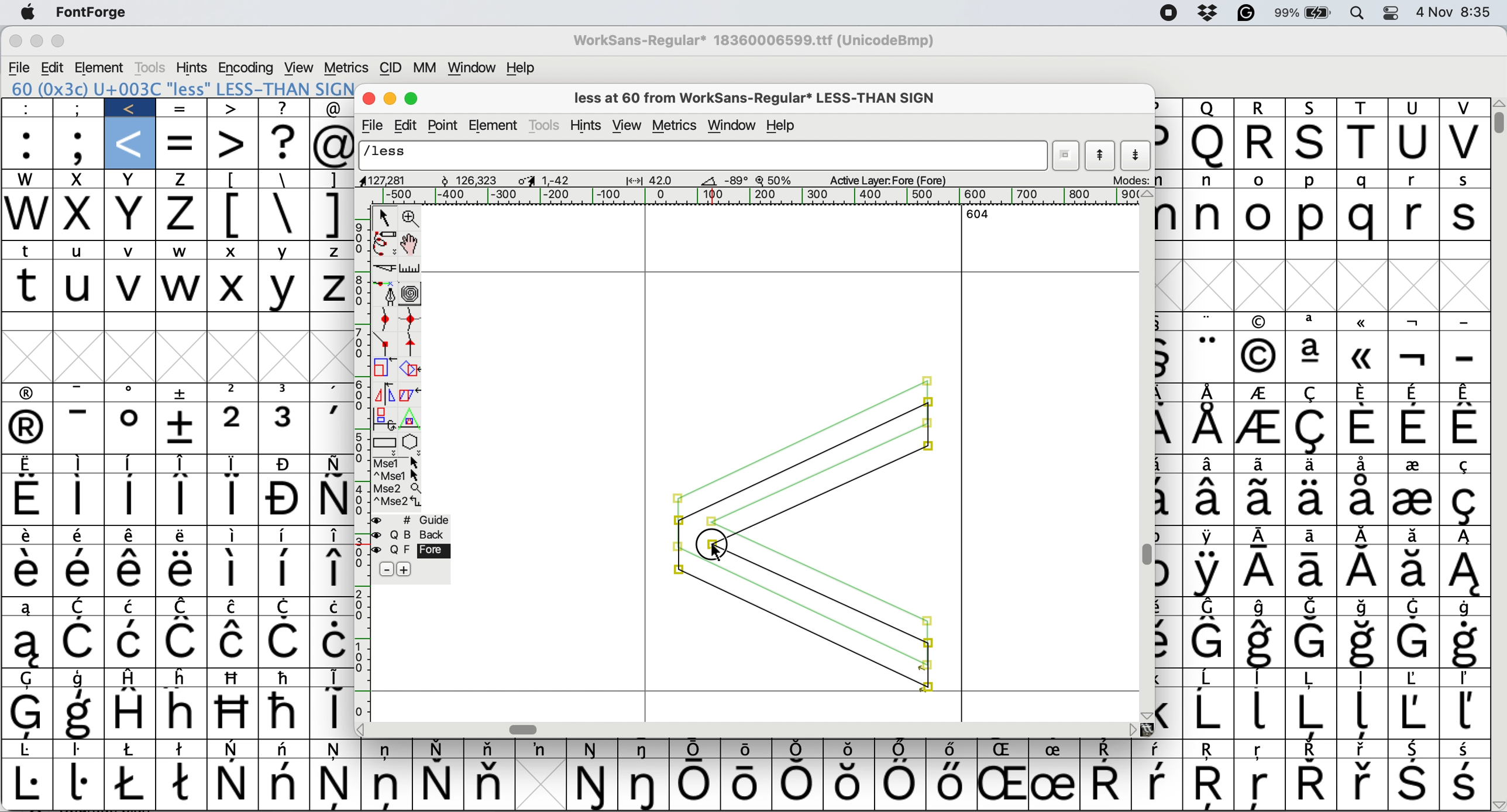 The width and height of the screenshot is (1507, 812). What do you see at coordinates (388, 749) in the screenshot?
I see `Symbol` at bounding box center [388, 749].